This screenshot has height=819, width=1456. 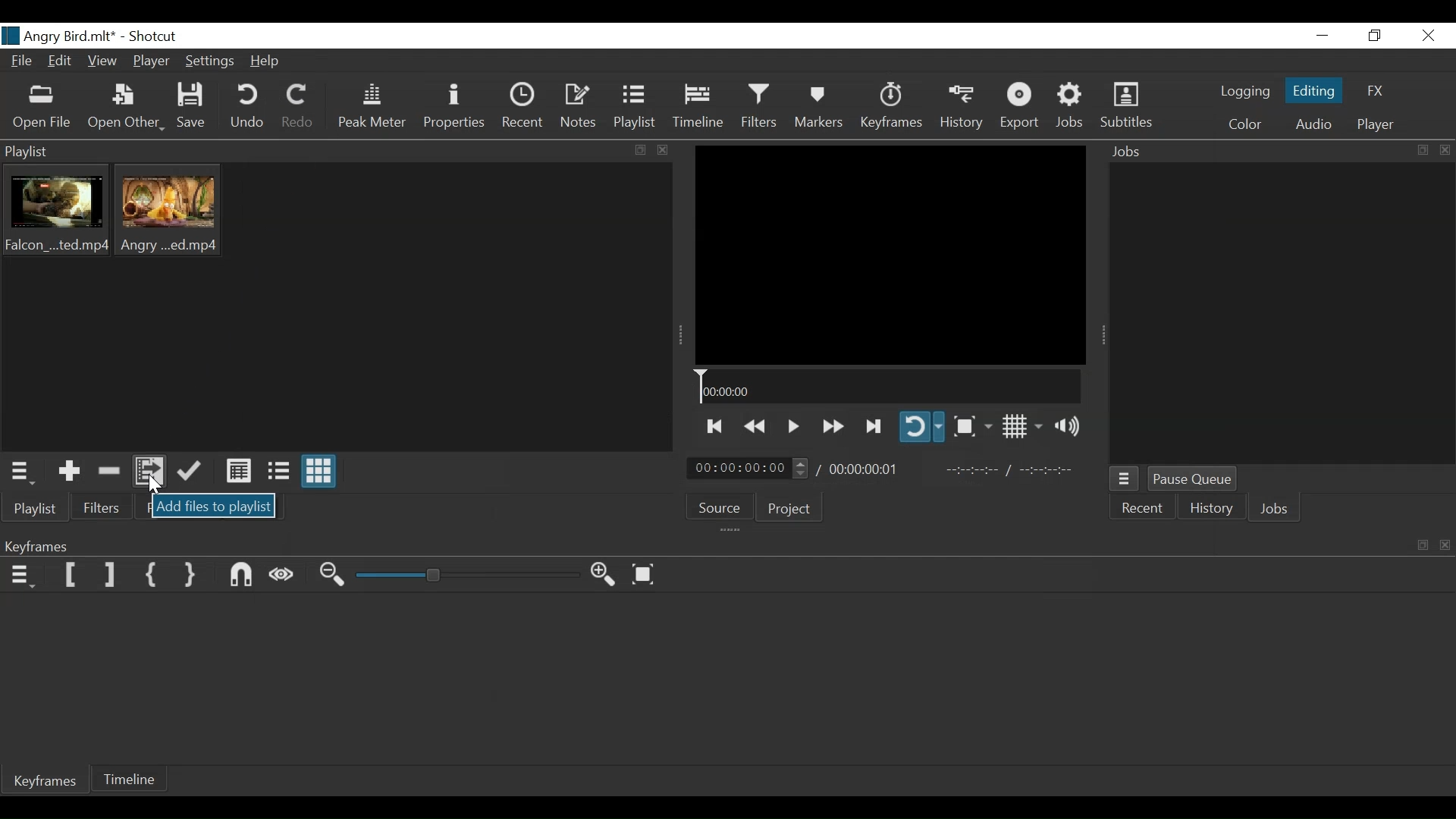 I want to click on View as icon, so click(x=319, y=472).